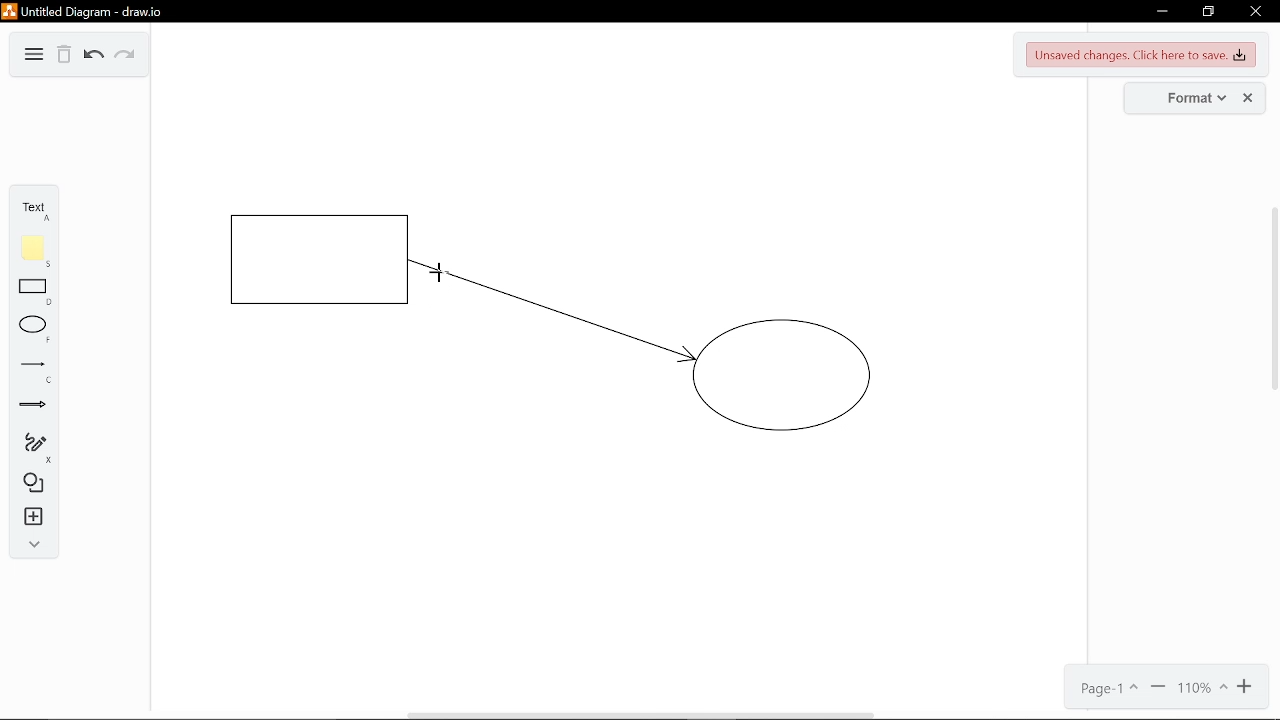 The width and height of the screenshot is (1280, 720). Describe the element at coordinates (31, 56) in the screenshot. I see `Diagram` at that location.